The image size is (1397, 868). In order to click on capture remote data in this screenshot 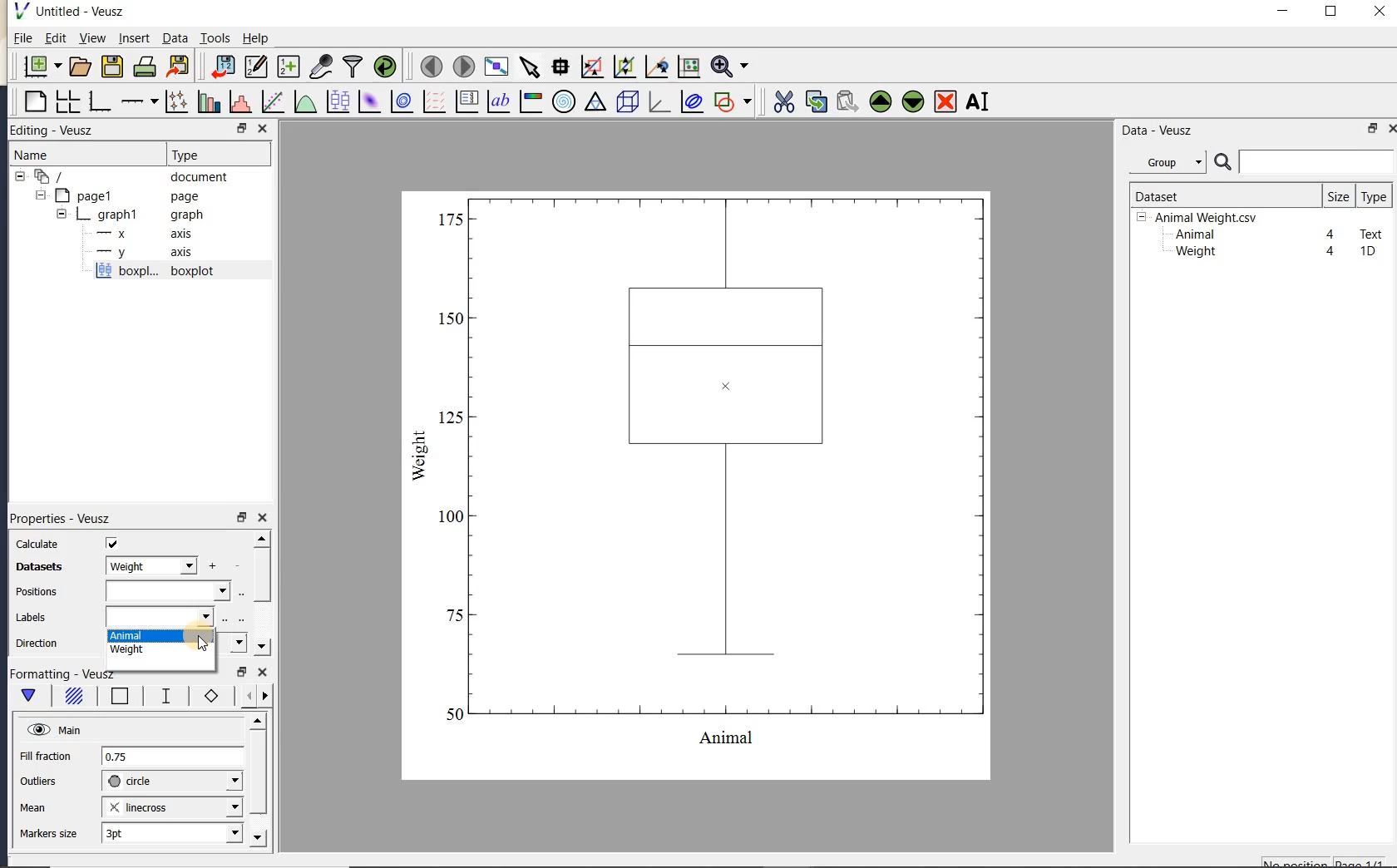, I will do `click(321, 66)`.